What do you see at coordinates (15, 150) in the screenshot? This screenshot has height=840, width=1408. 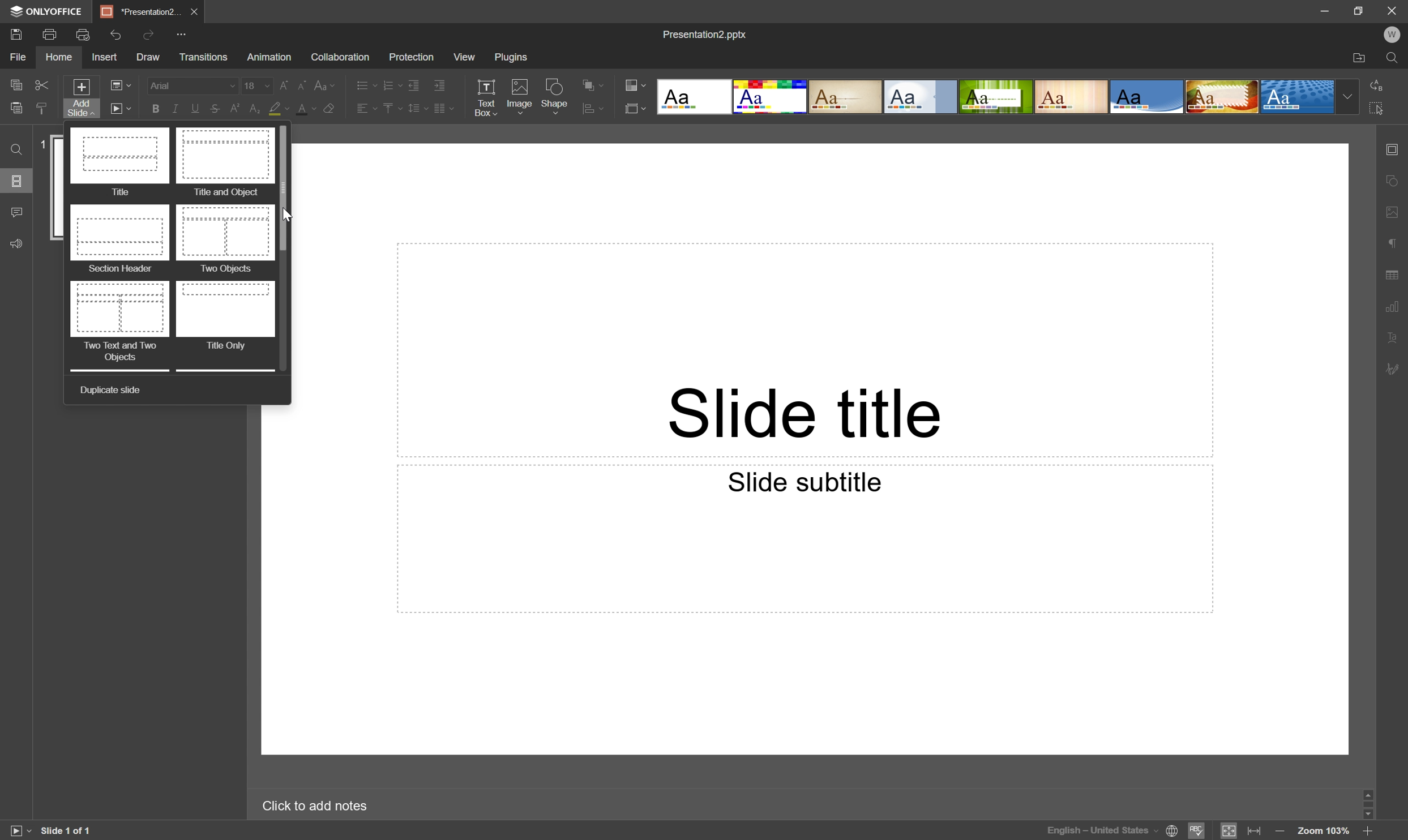 I see `Find` at bounding box center [15, 150].